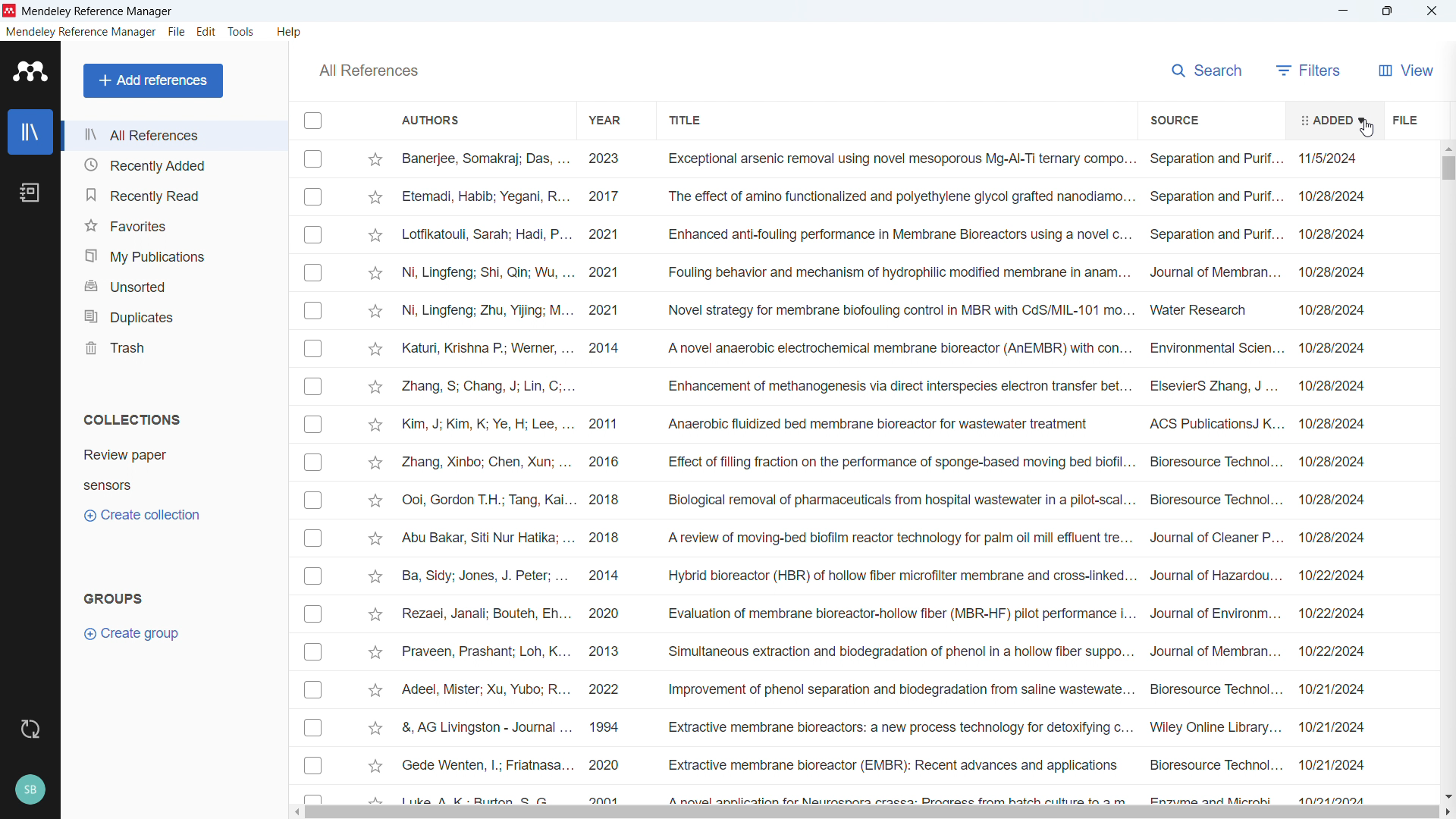 The width and height of the screenshot is (1456, 819). Describe the element at coordinates (686, 120) in the screenshot. I see `Sort by title ` at that location.